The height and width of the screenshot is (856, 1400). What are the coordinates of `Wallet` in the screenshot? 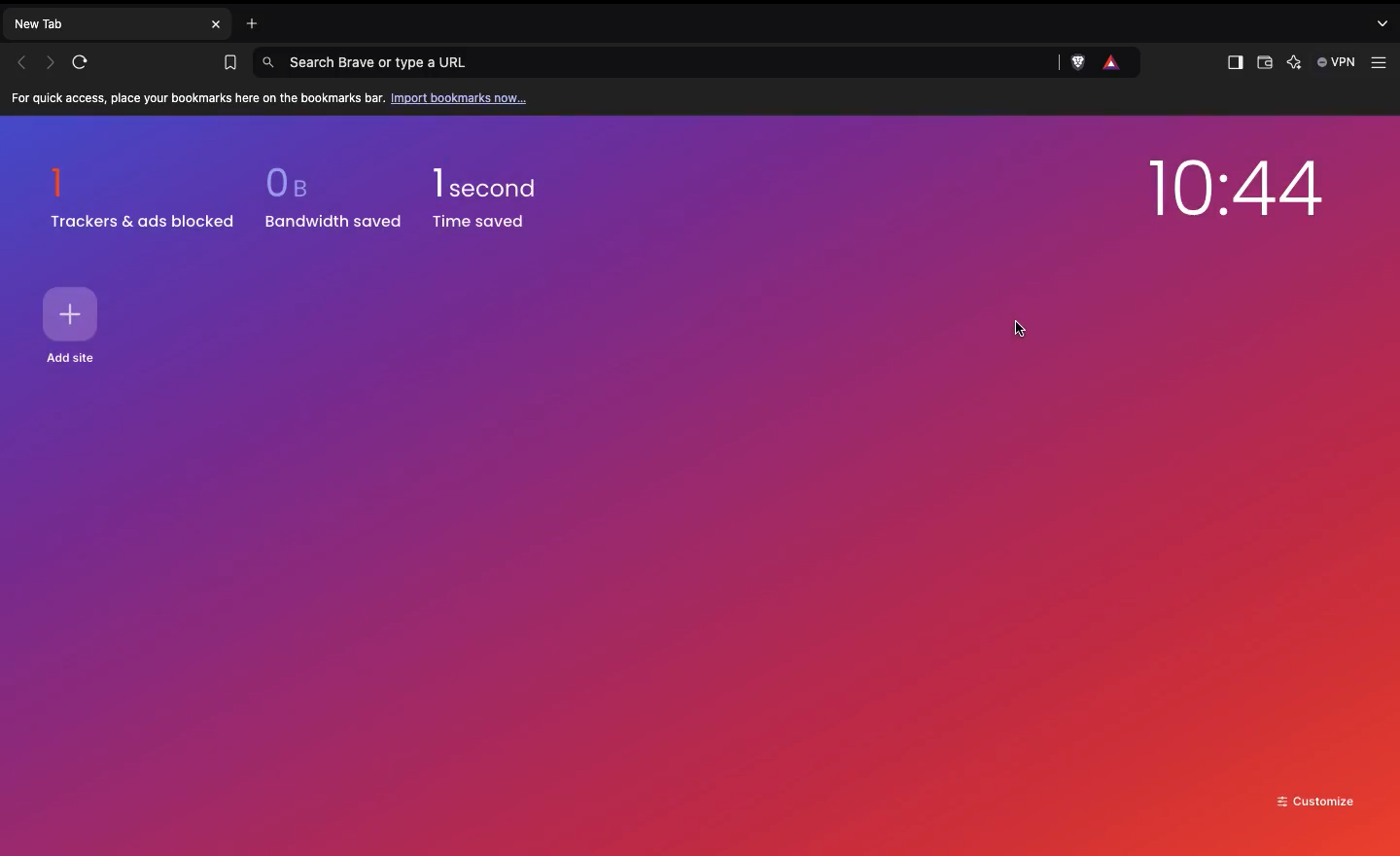 It's located at (1263, 65).